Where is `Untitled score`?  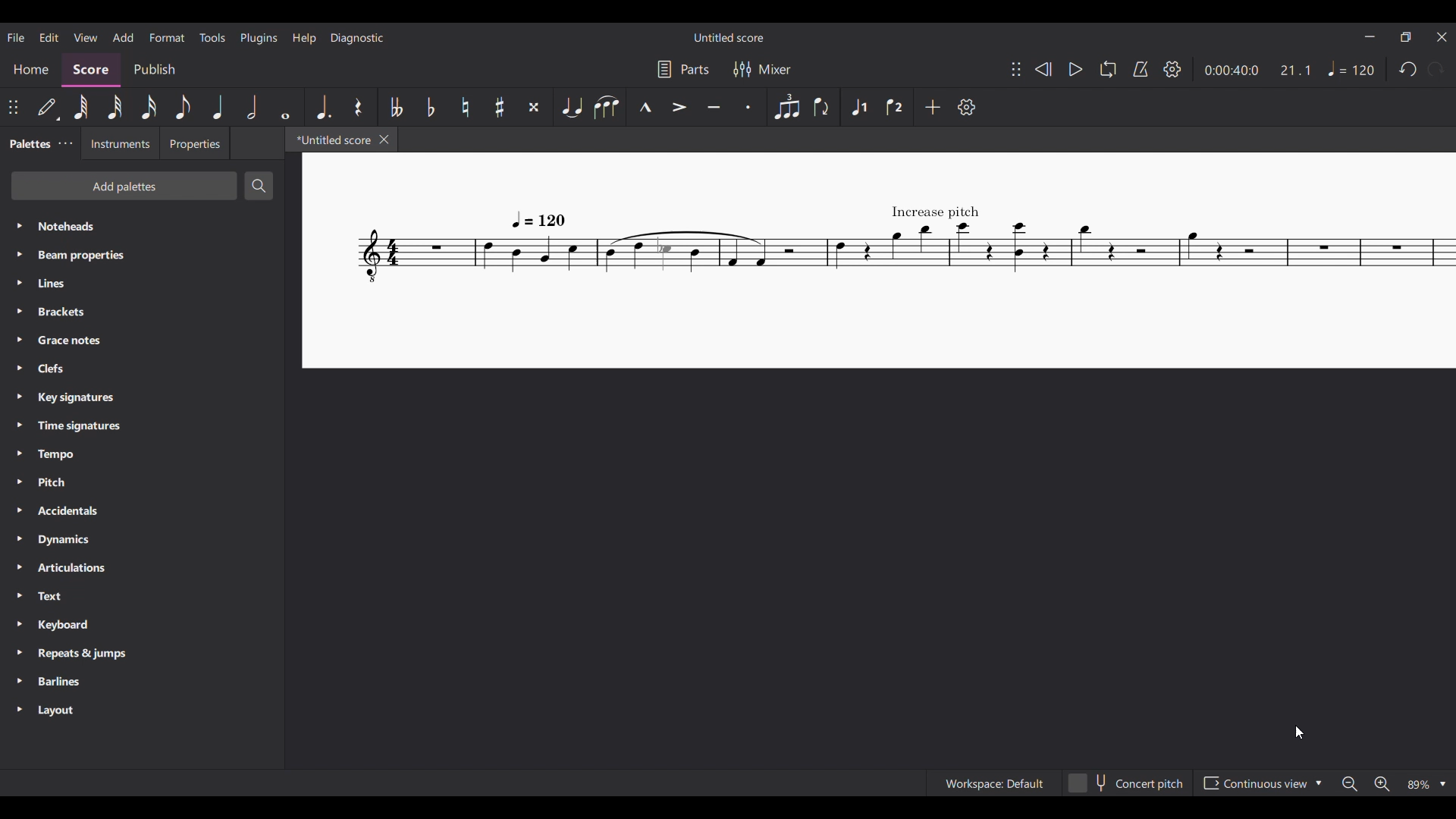
Untitled score is located at coordinates (728, 37).